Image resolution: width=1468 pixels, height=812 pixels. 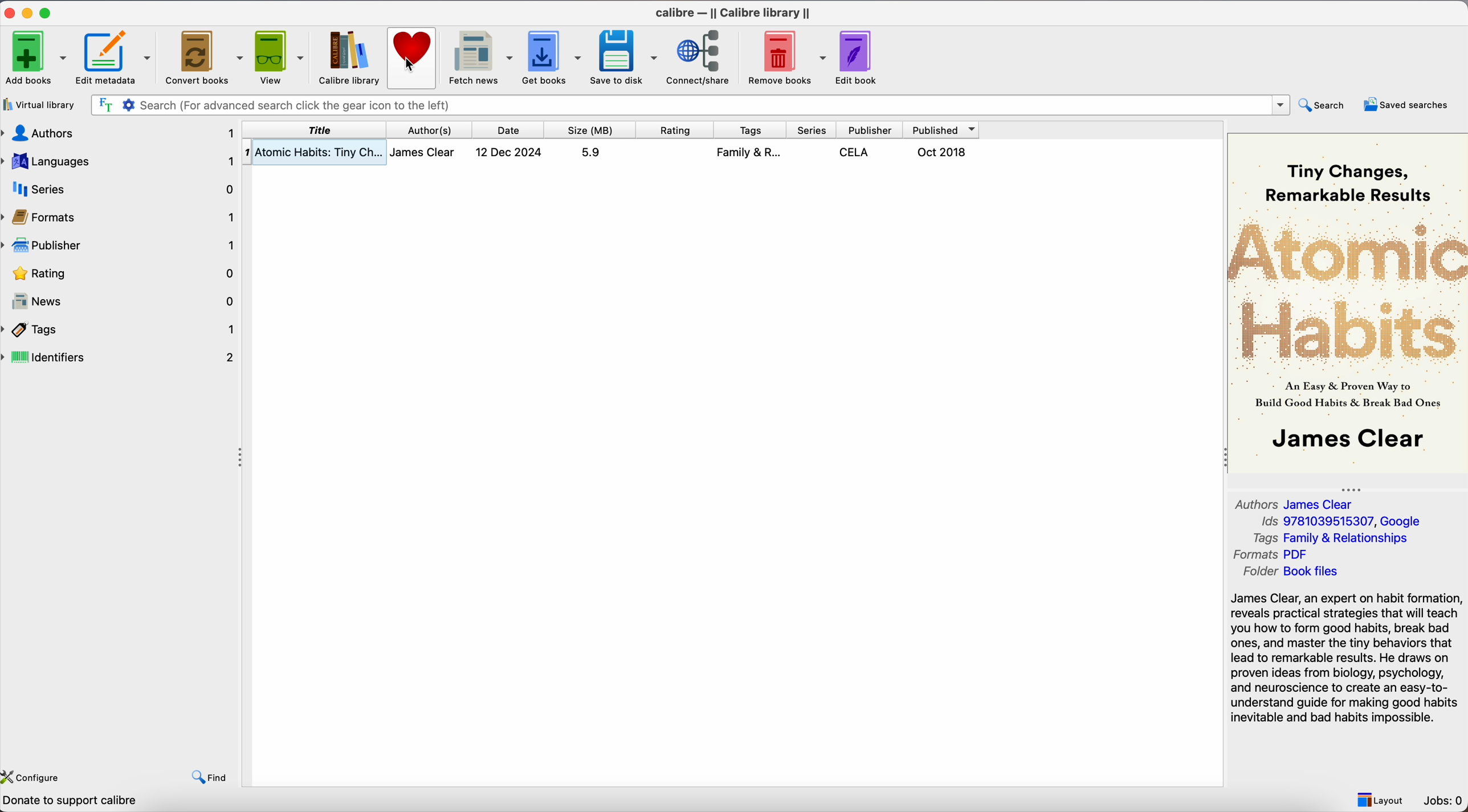 I want to click on date, so click(x=508, y=129).